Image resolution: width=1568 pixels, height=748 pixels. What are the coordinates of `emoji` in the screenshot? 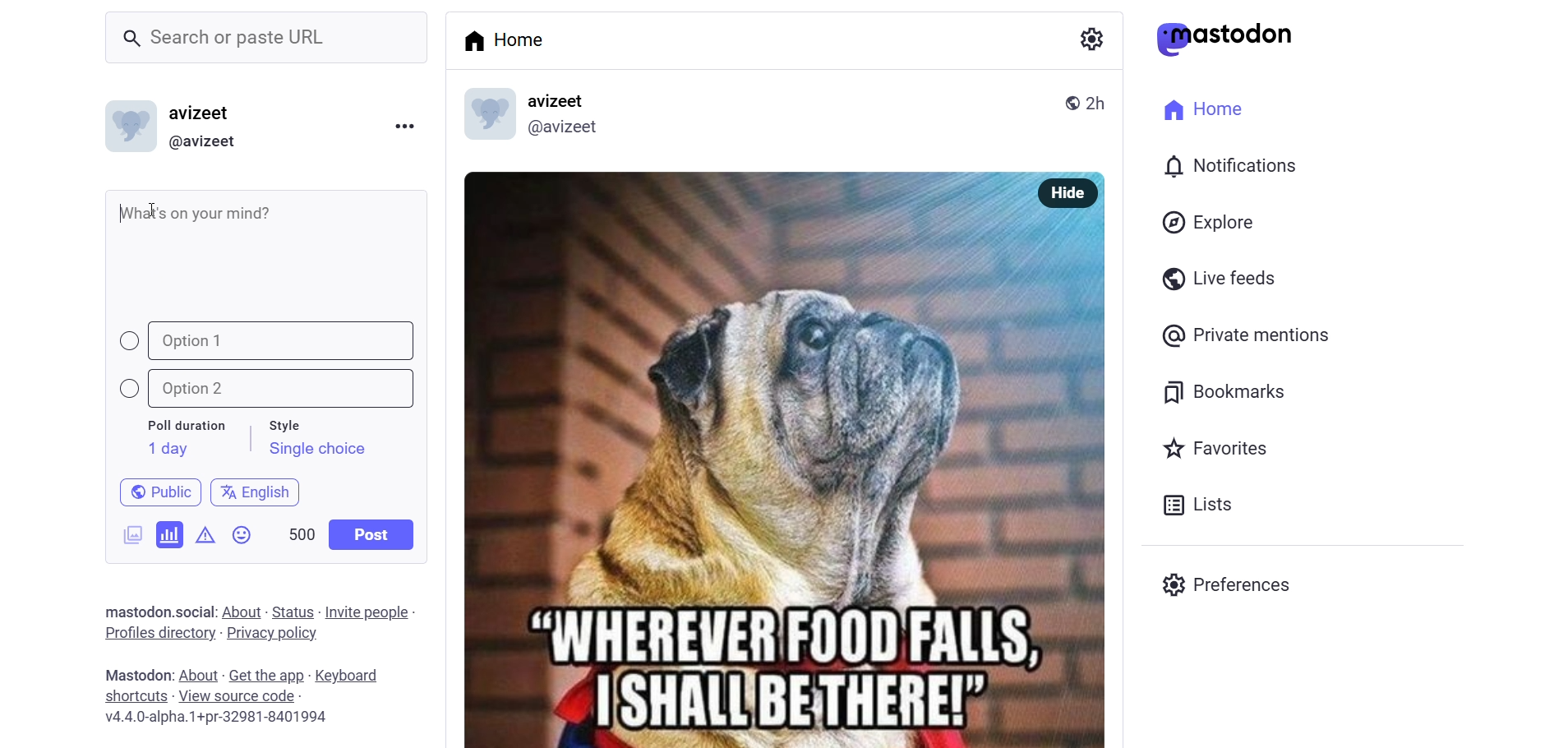 It's located at (243, 538).